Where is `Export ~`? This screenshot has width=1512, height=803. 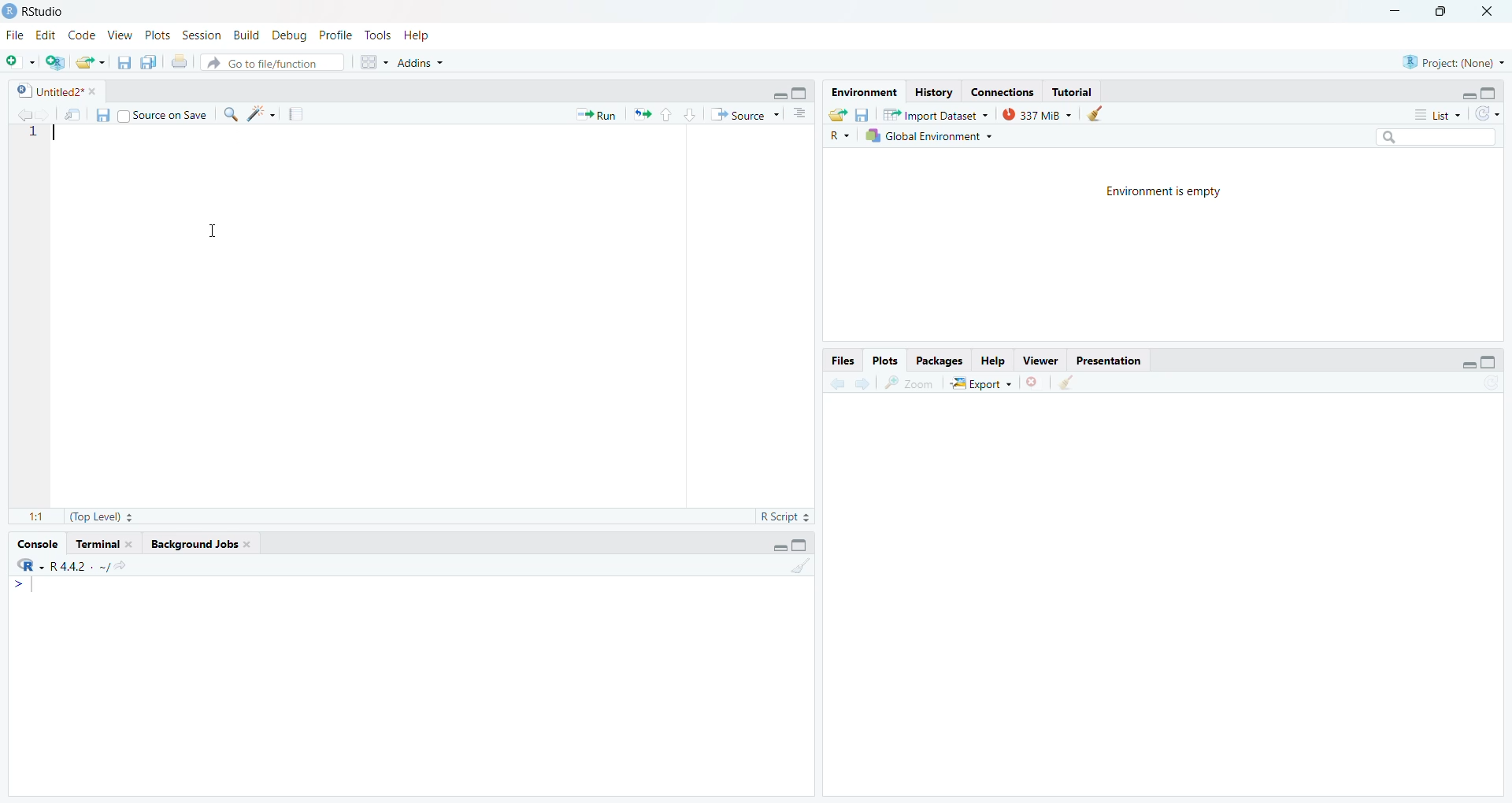 Export ~ is located at coordinates (984, 386).